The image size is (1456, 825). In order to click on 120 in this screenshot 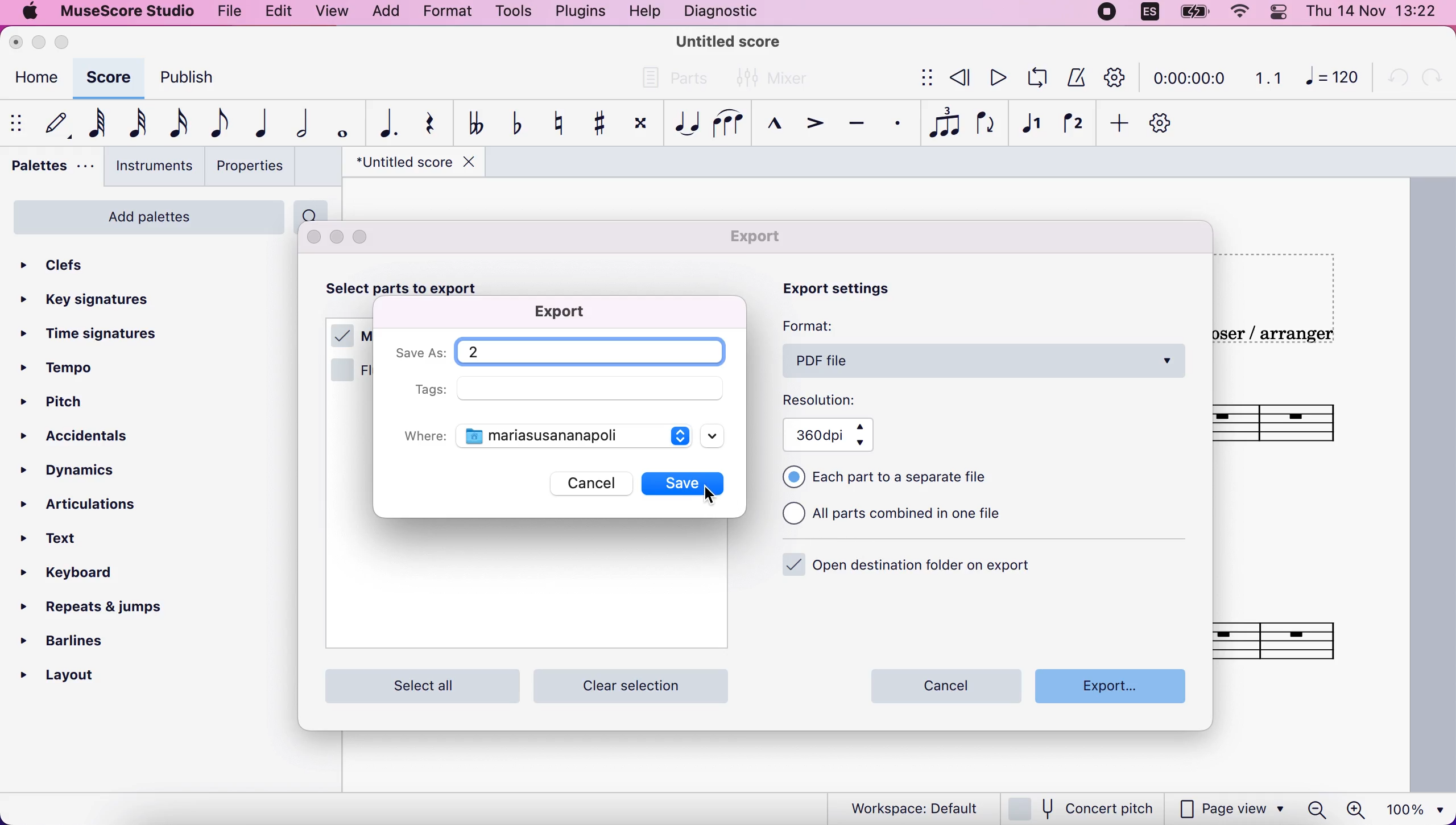, I will do `click(1334, 80)`.